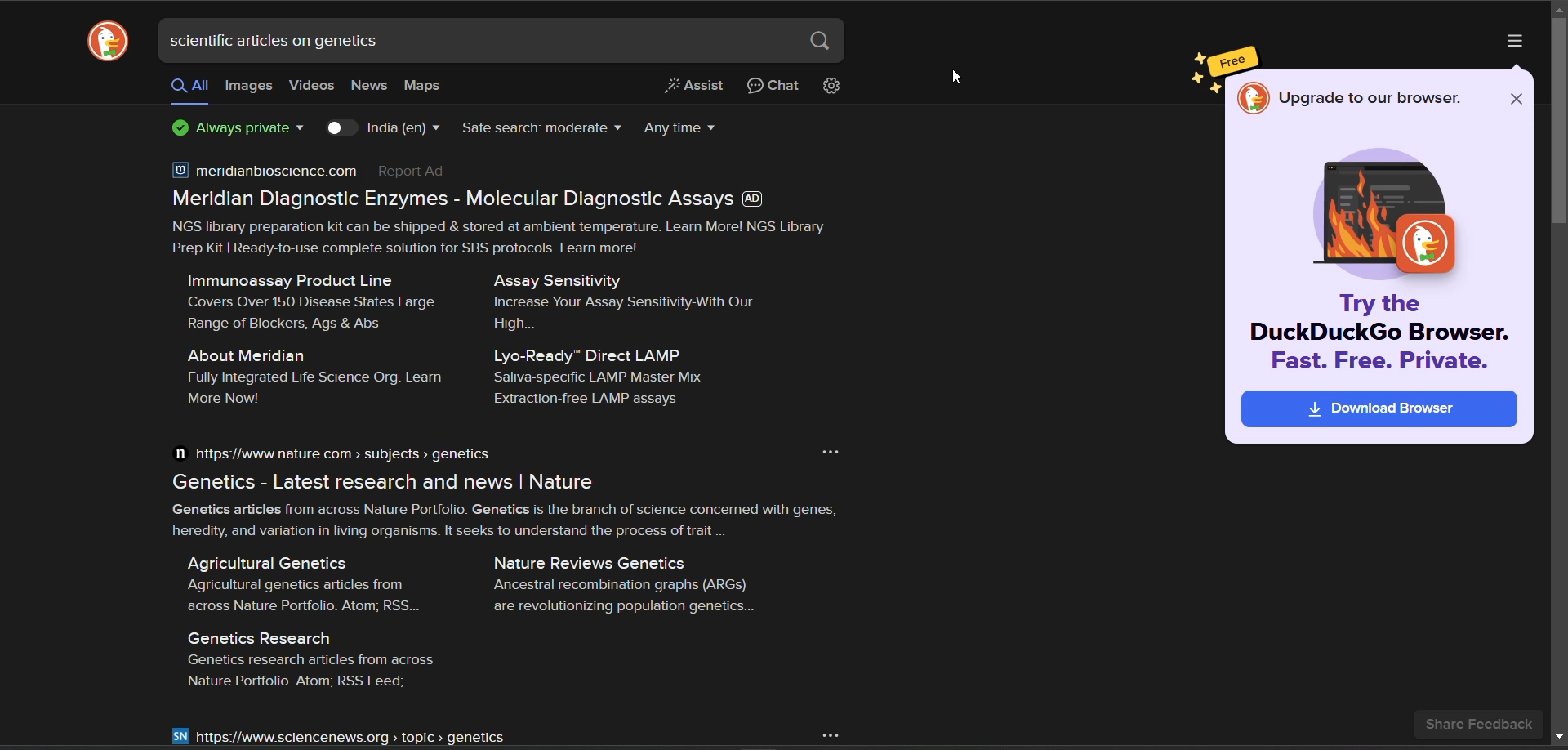  Describe the element at coordinates (303, 299) in the screenshot. I see `Immunoassay Product Line
Covers Over 150 Disease States Large
Range of Blockers, Ags & Abs` at that location.